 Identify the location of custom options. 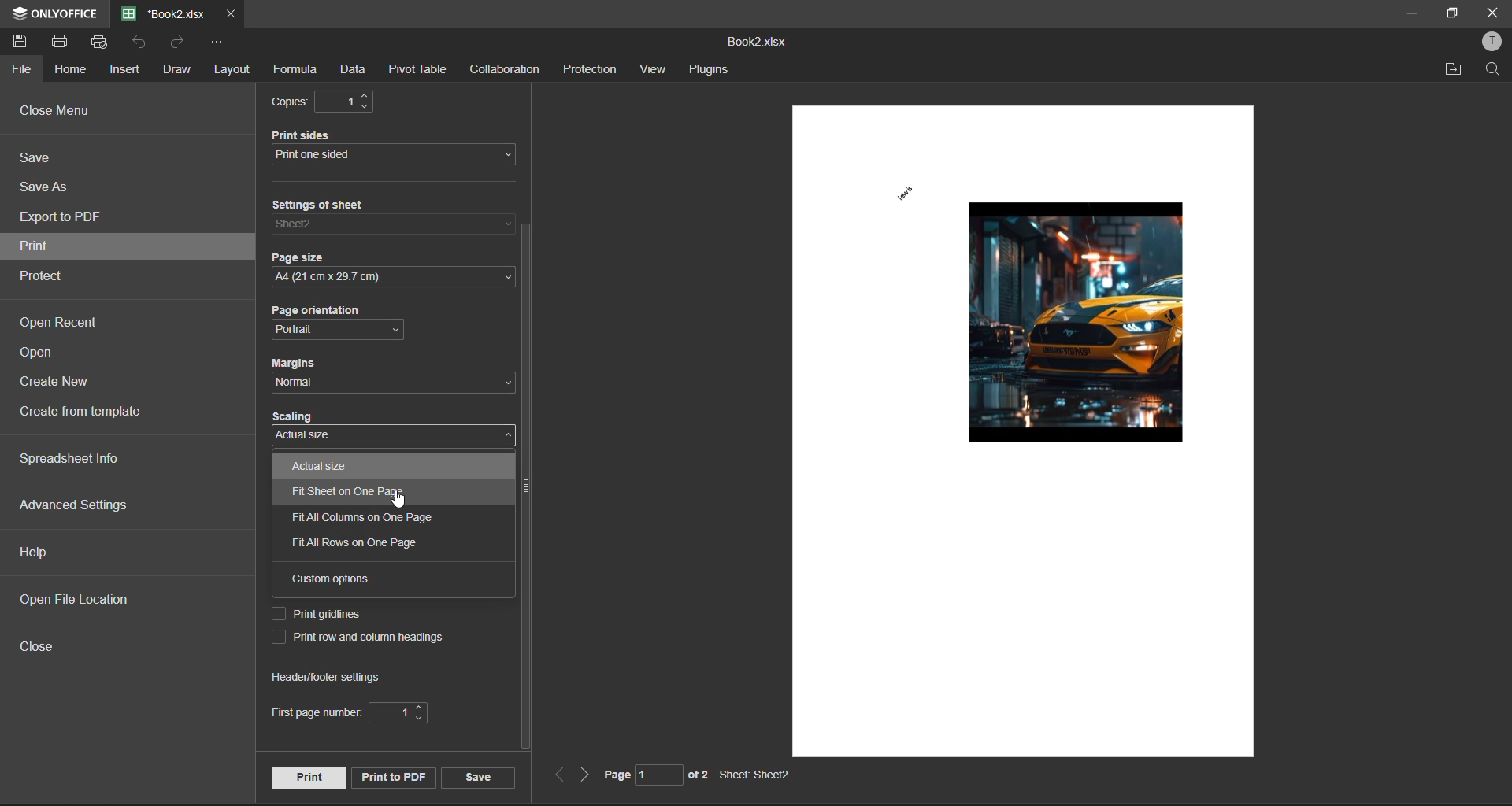
(329, 579).